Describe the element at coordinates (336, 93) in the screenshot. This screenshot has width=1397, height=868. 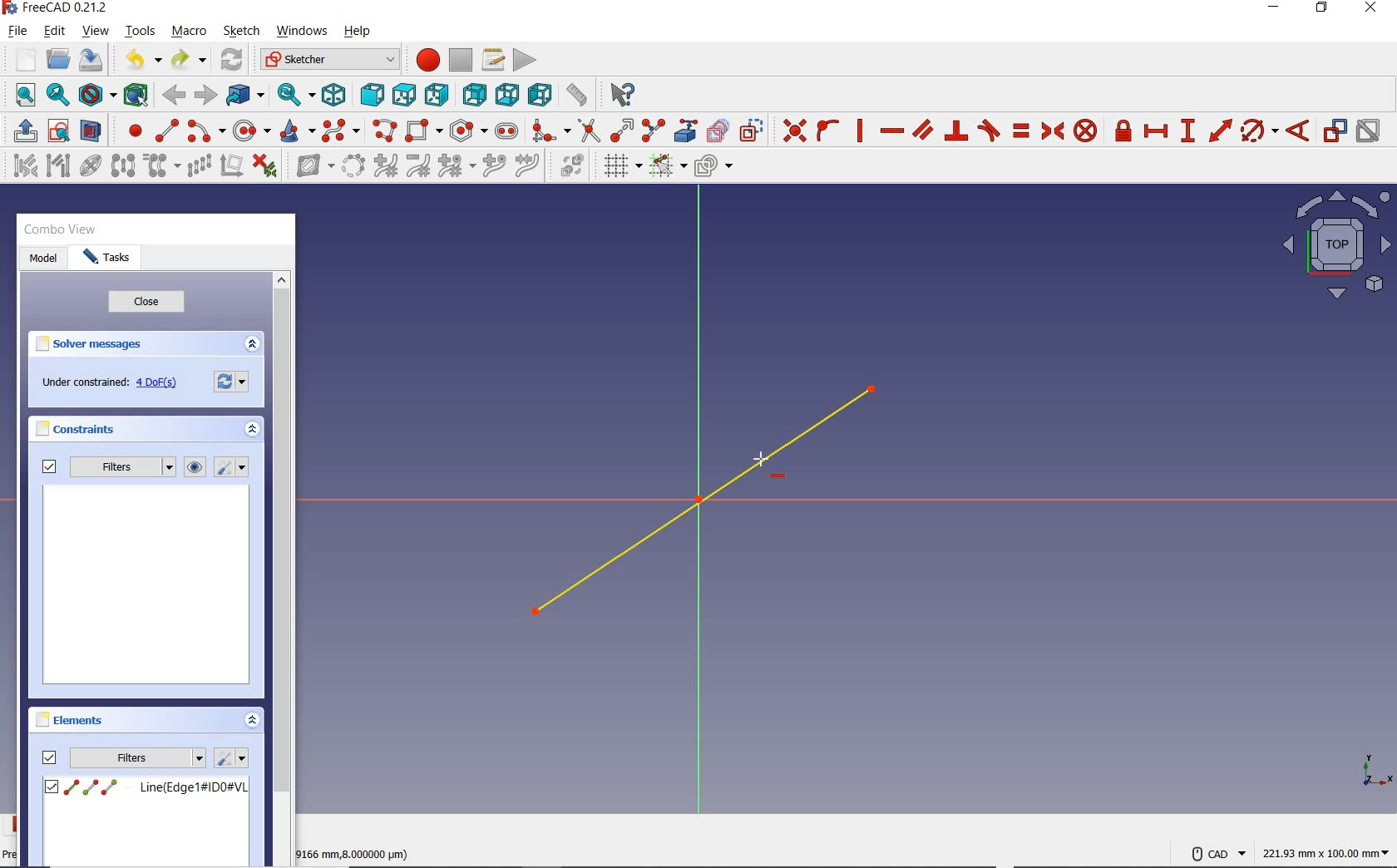
I see `ISOMETRIC` at that location.